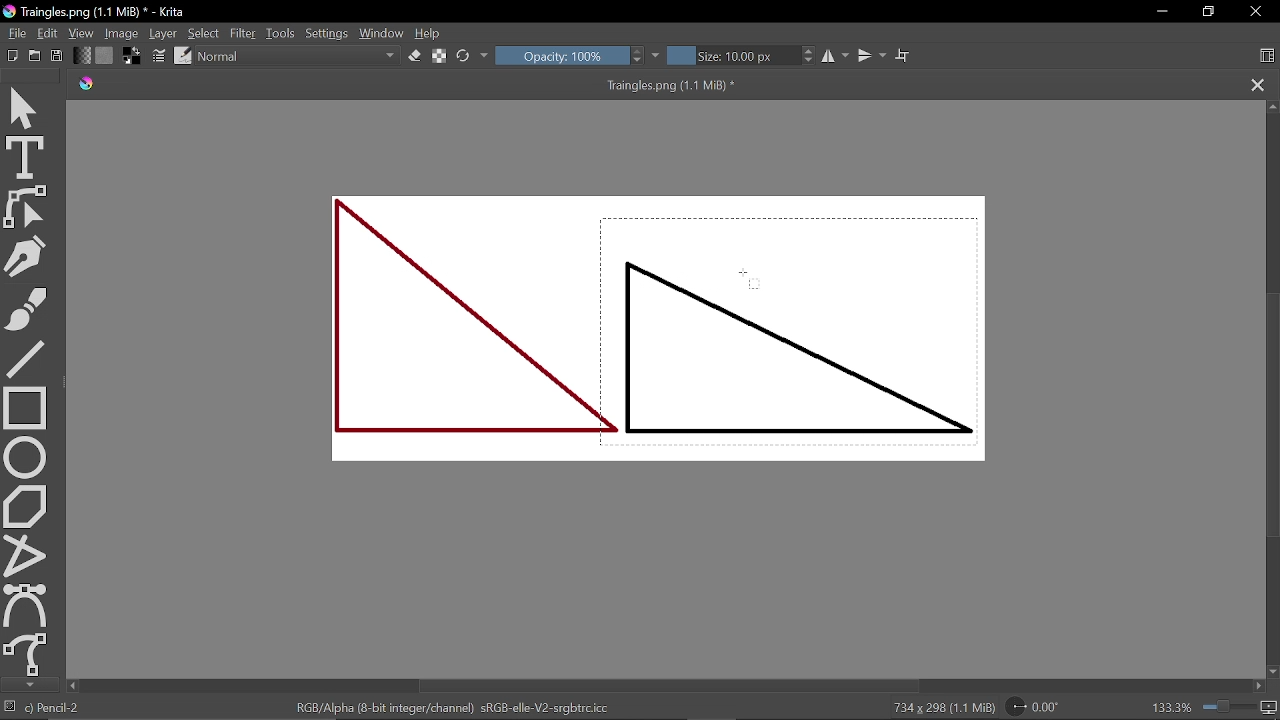  What do you see at coordinates (121, 34) in the screenshot?
I see `Image` at bounding box center [121, 34].